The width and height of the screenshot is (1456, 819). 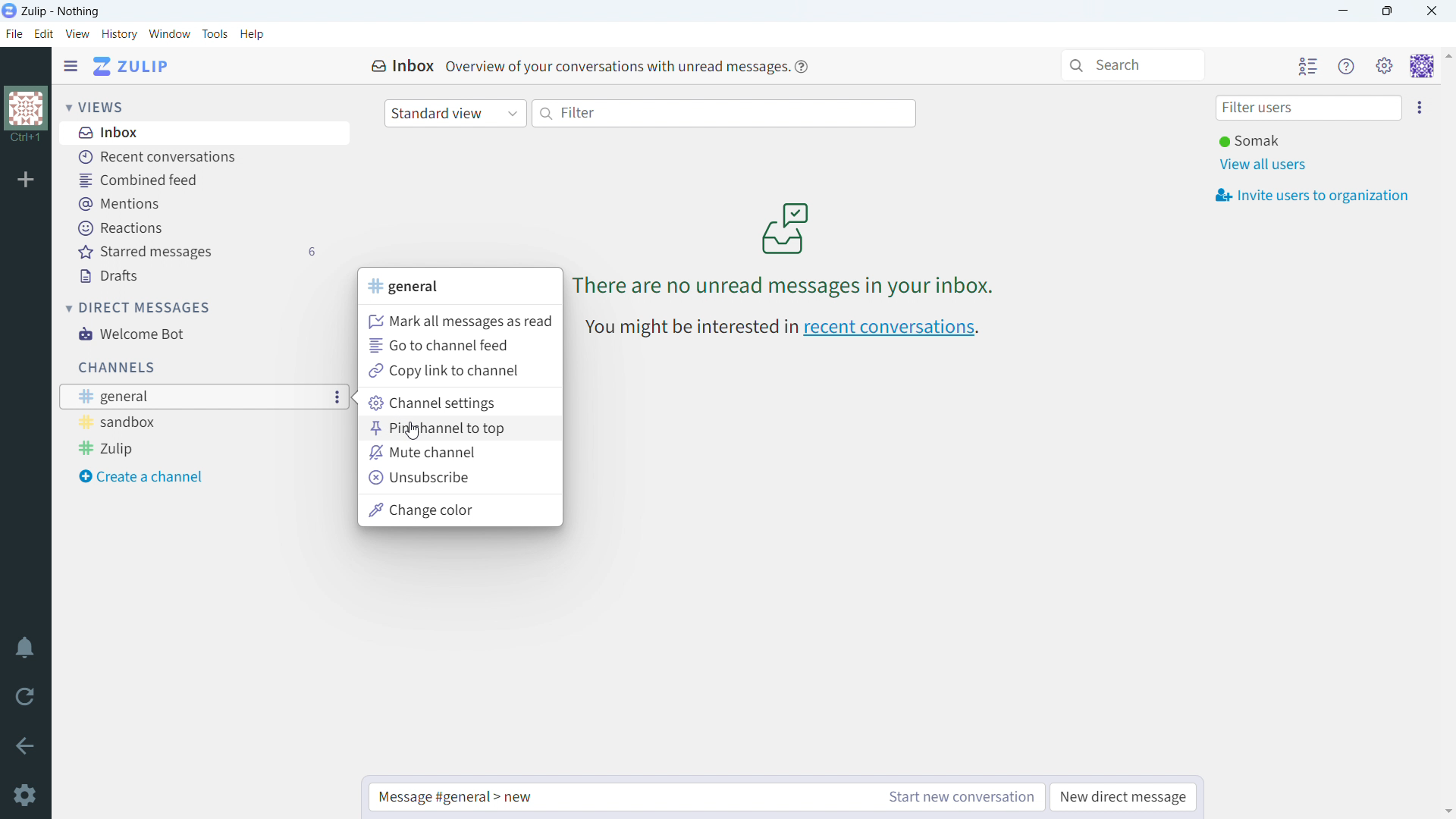 What do you see at coordinates (61, 11) in the screenshot?
I see `title` at bounding box center [61, 11].